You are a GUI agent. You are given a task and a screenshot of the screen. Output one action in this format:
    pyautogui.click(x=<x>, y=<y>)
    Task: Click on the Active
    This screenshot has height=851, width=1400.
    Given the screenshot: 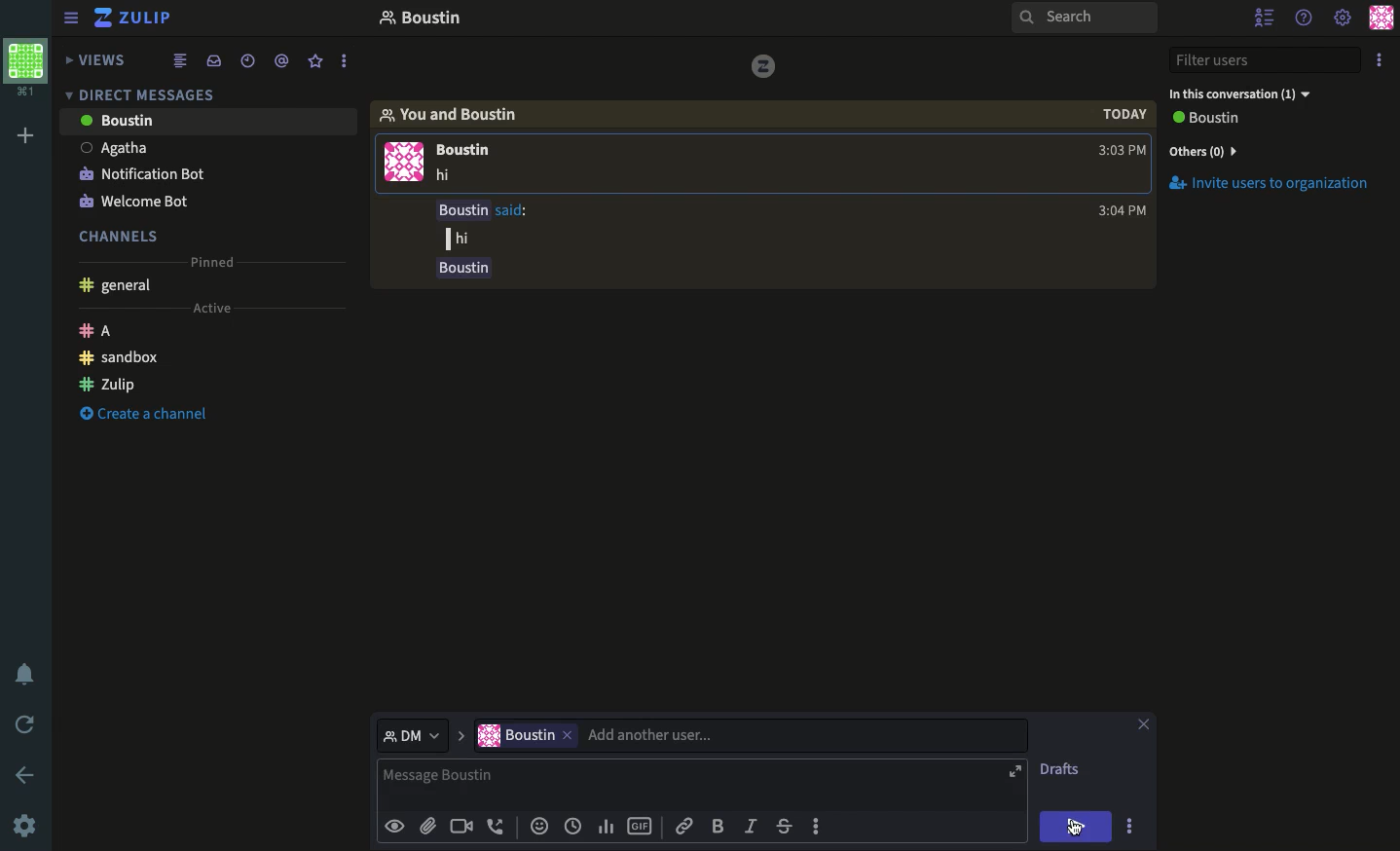 What is the action you would take?
    pyautogui.click(x=219, y=308)
    